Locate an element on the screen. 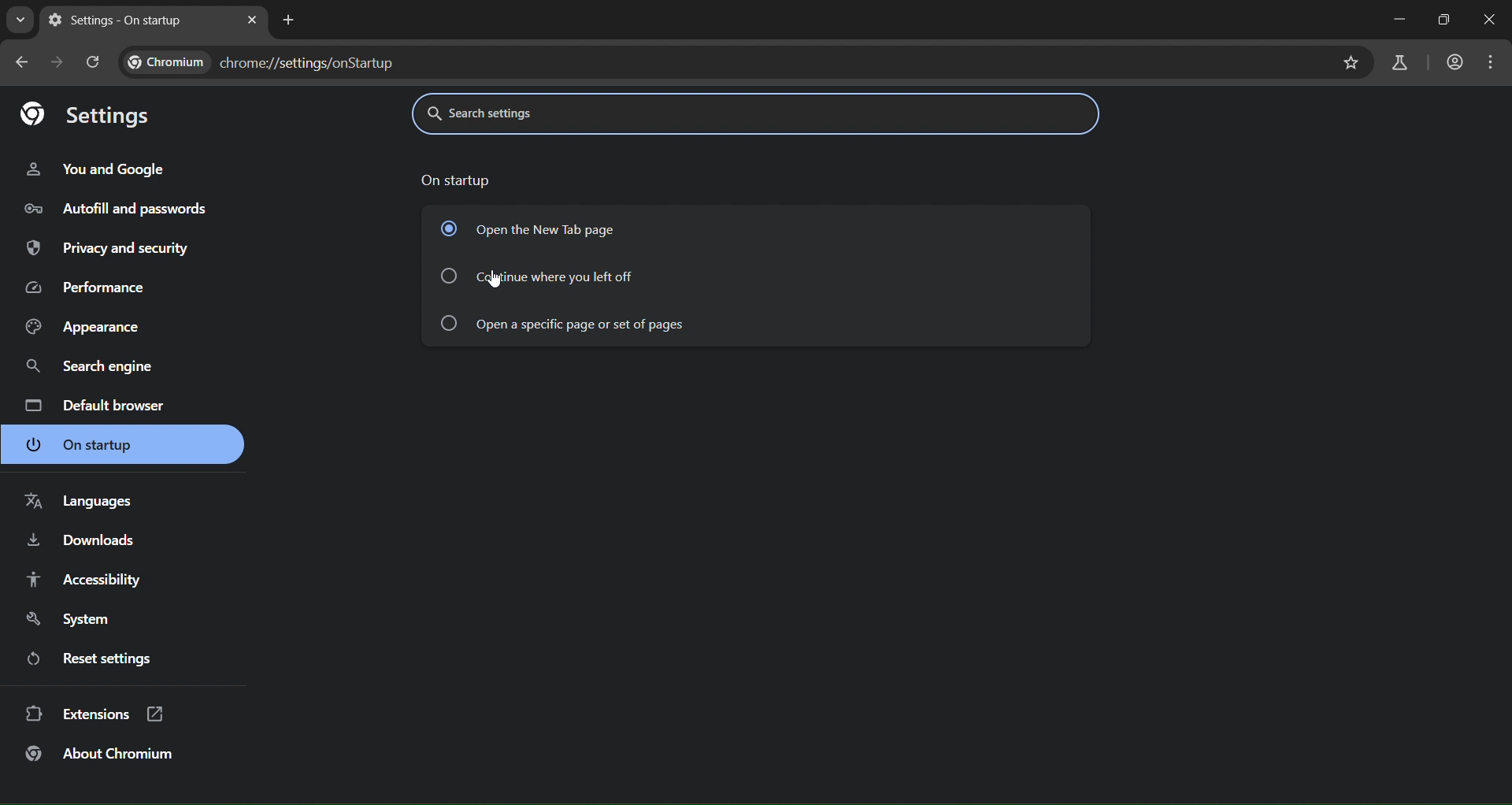 The height and width of the screenshot is (805, 1512). appearacne is located at coordinates (84, 329).